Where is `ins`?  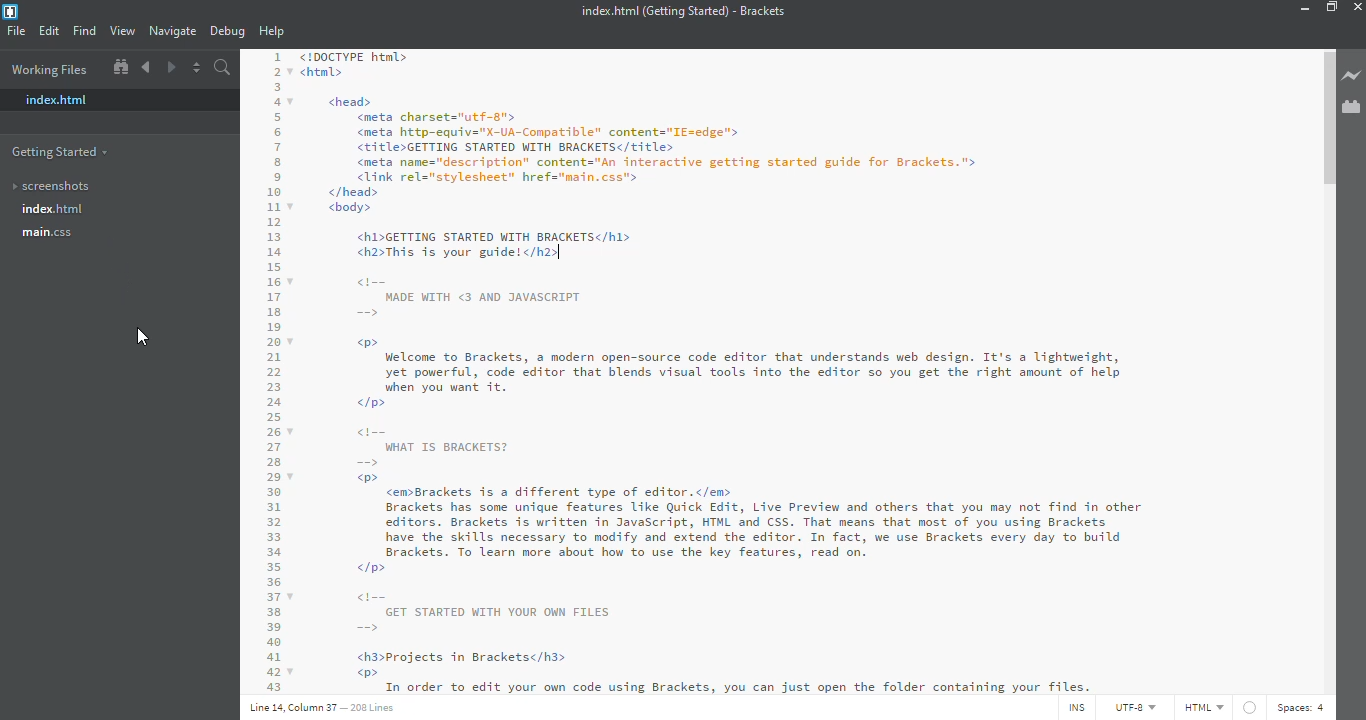
ins is located at coordinates (1074, 706).